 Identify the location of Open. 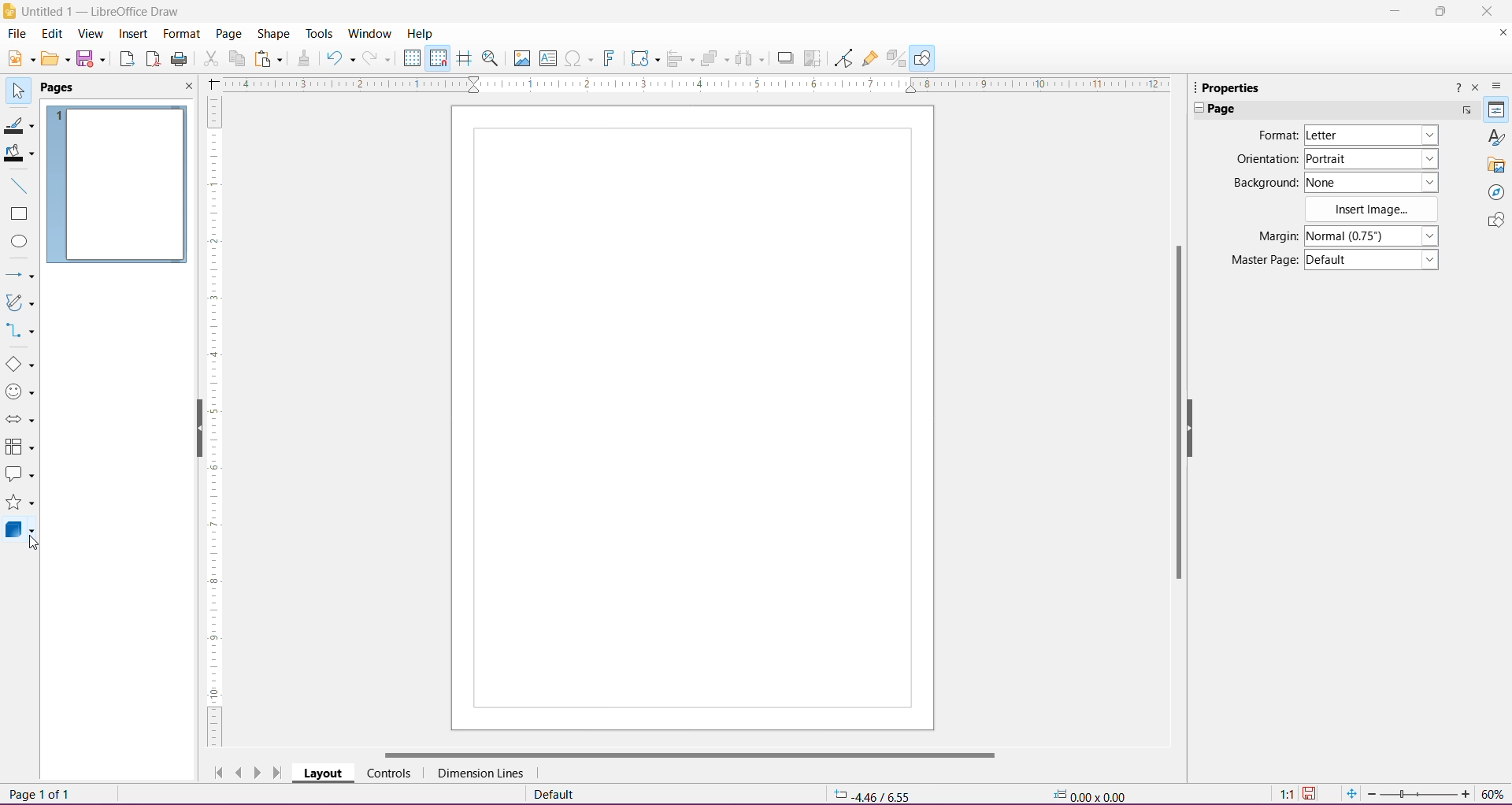
(54, 60).